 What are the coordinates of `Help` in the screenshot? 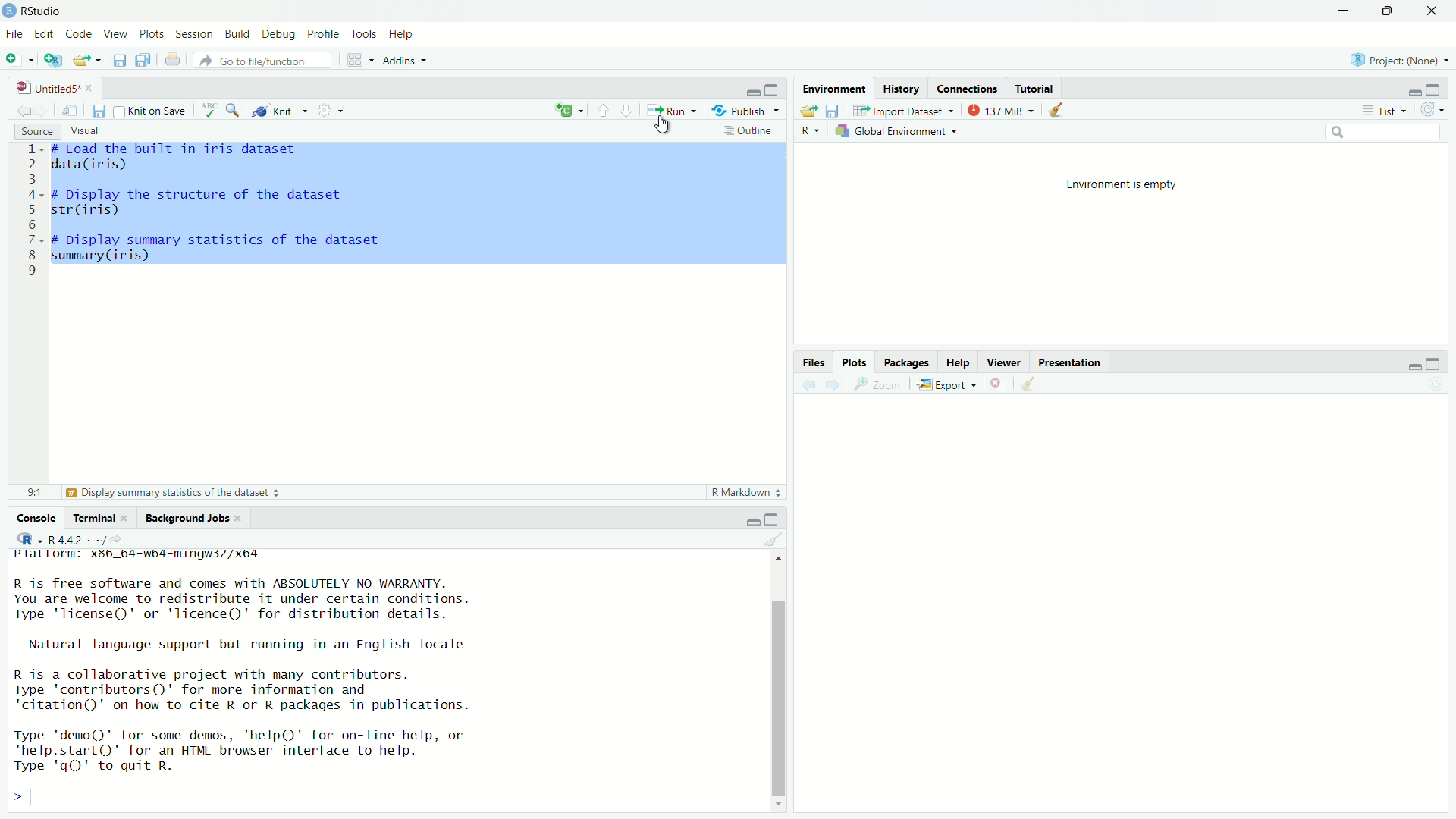 It's located at (402, 34).